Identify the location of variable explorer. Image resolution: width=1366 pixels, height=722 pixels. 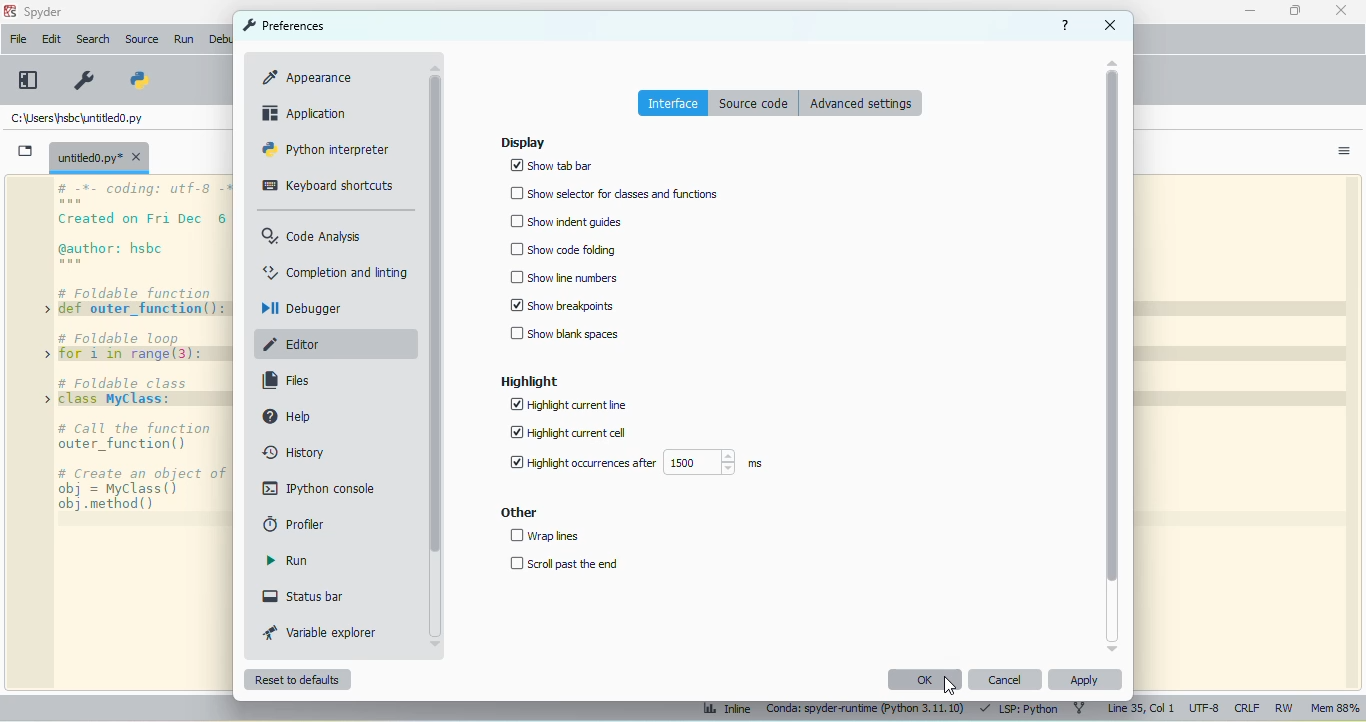
(322, 632).